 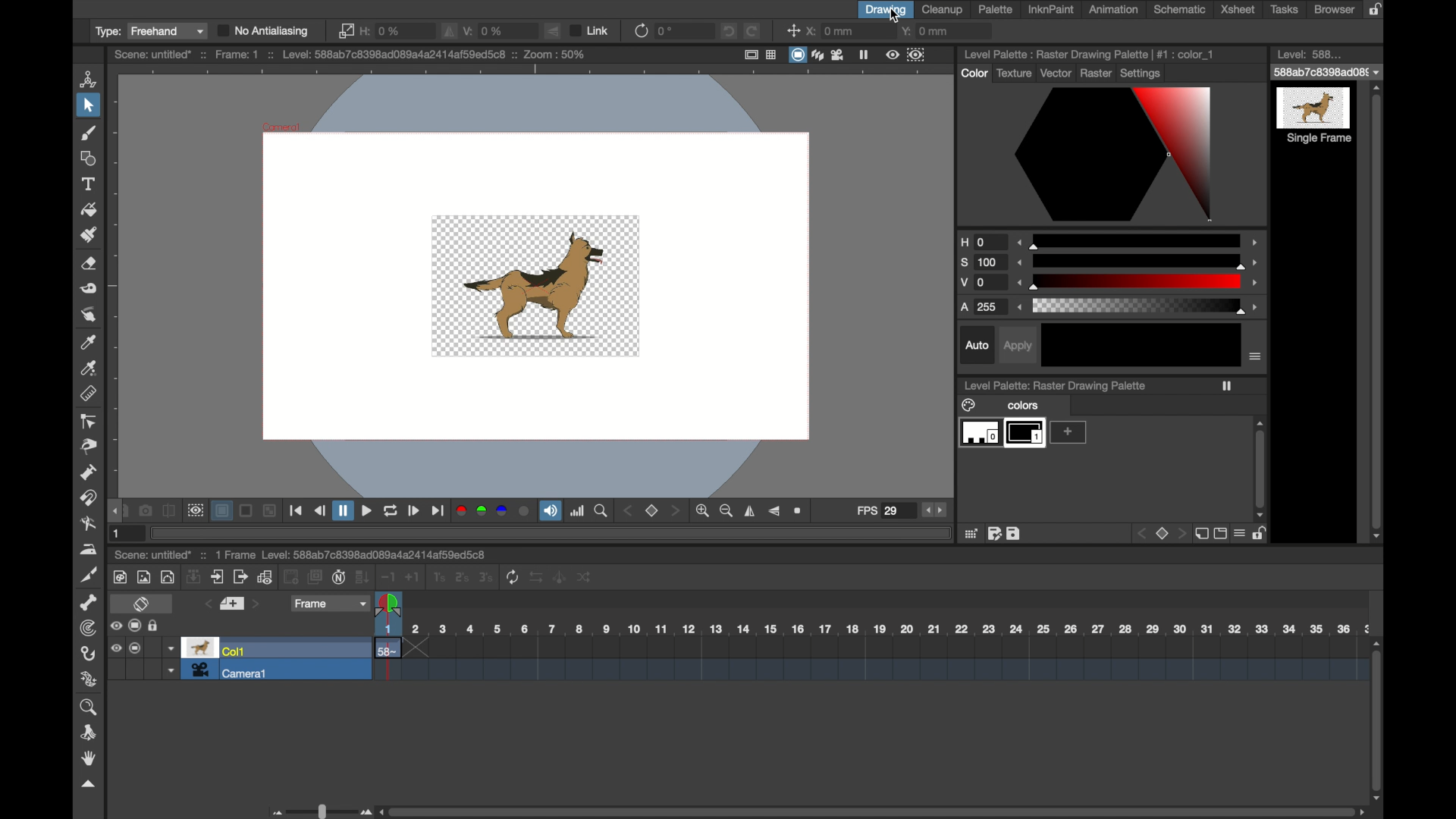 What do you see at coordinates (750, 511) in the screenshot?
I see `flip horizontally` at bounding box center [750, 511].